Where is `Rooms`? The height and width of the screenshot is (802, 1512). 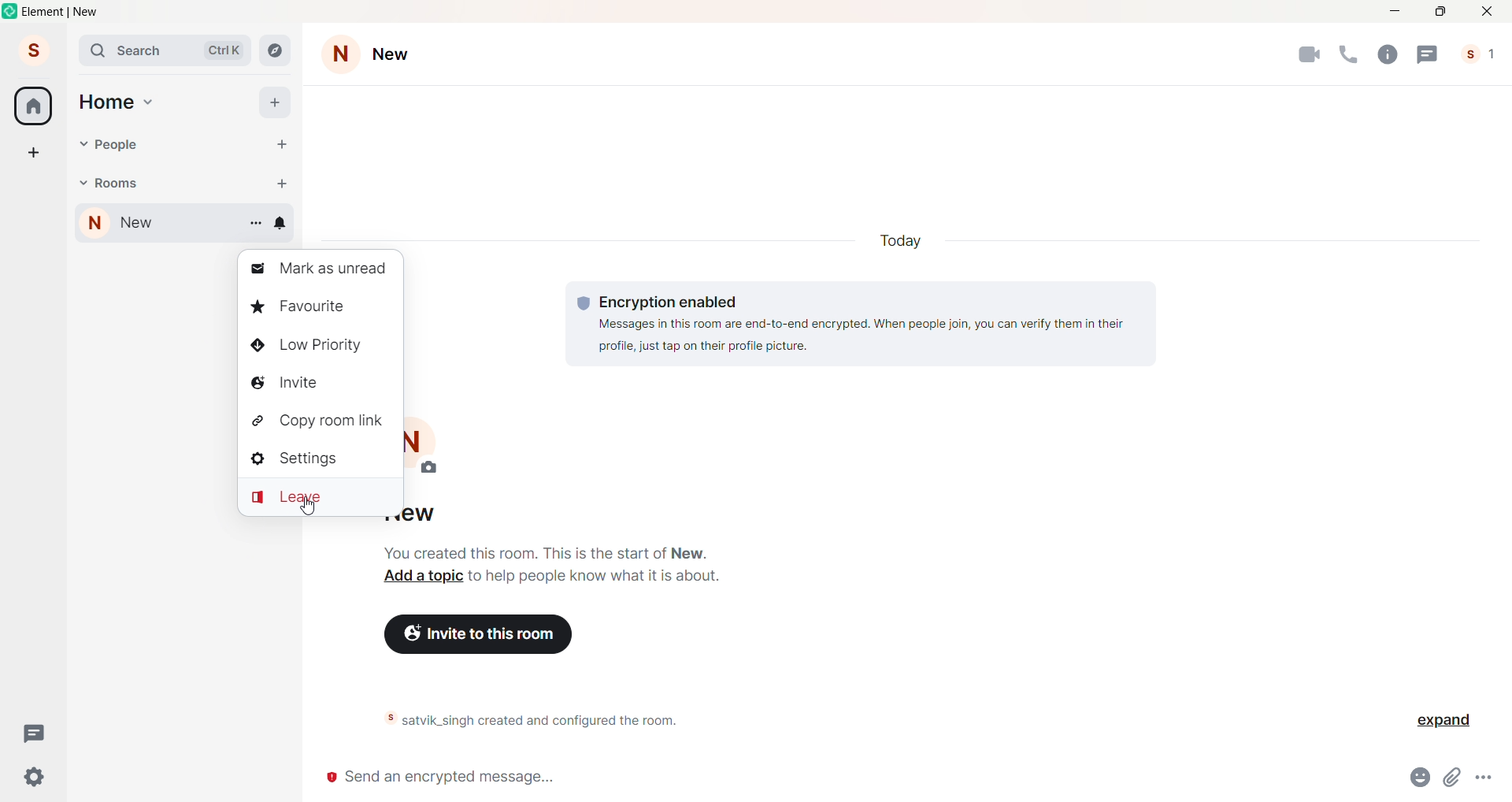
Rooms is located at coordinates (121, 183).